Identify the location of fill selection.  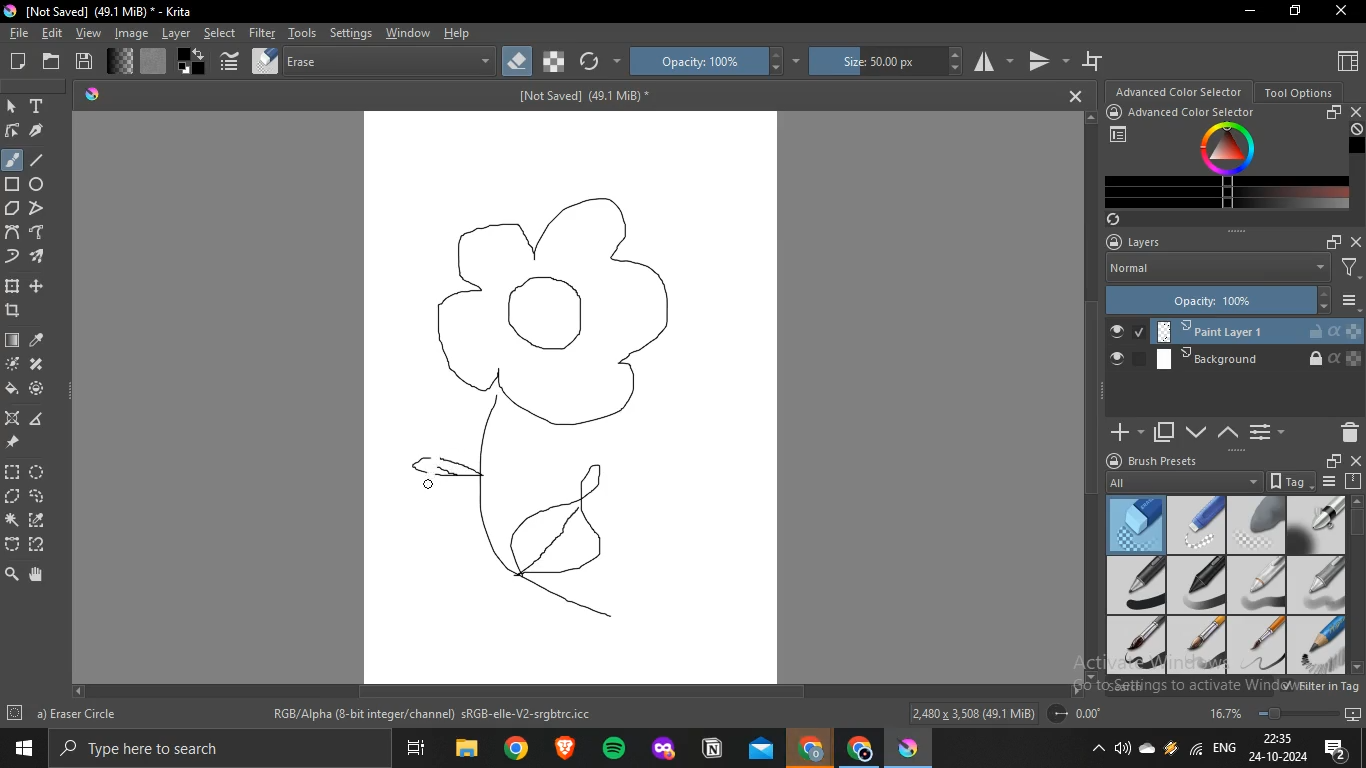
(12, 388).